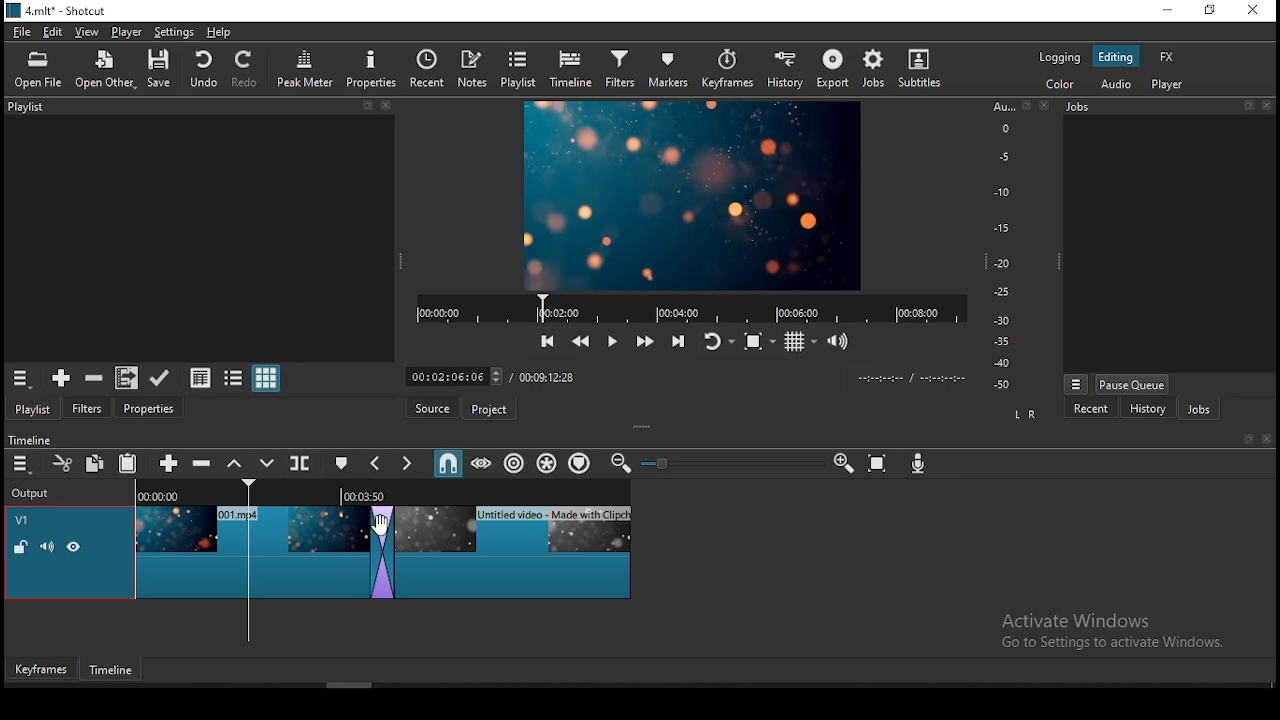 The image size is (1280, 720). What do you see at coordinates (800, 342) in the screenshot?
I see `toggle grids display` at bounding box center [800, 342].